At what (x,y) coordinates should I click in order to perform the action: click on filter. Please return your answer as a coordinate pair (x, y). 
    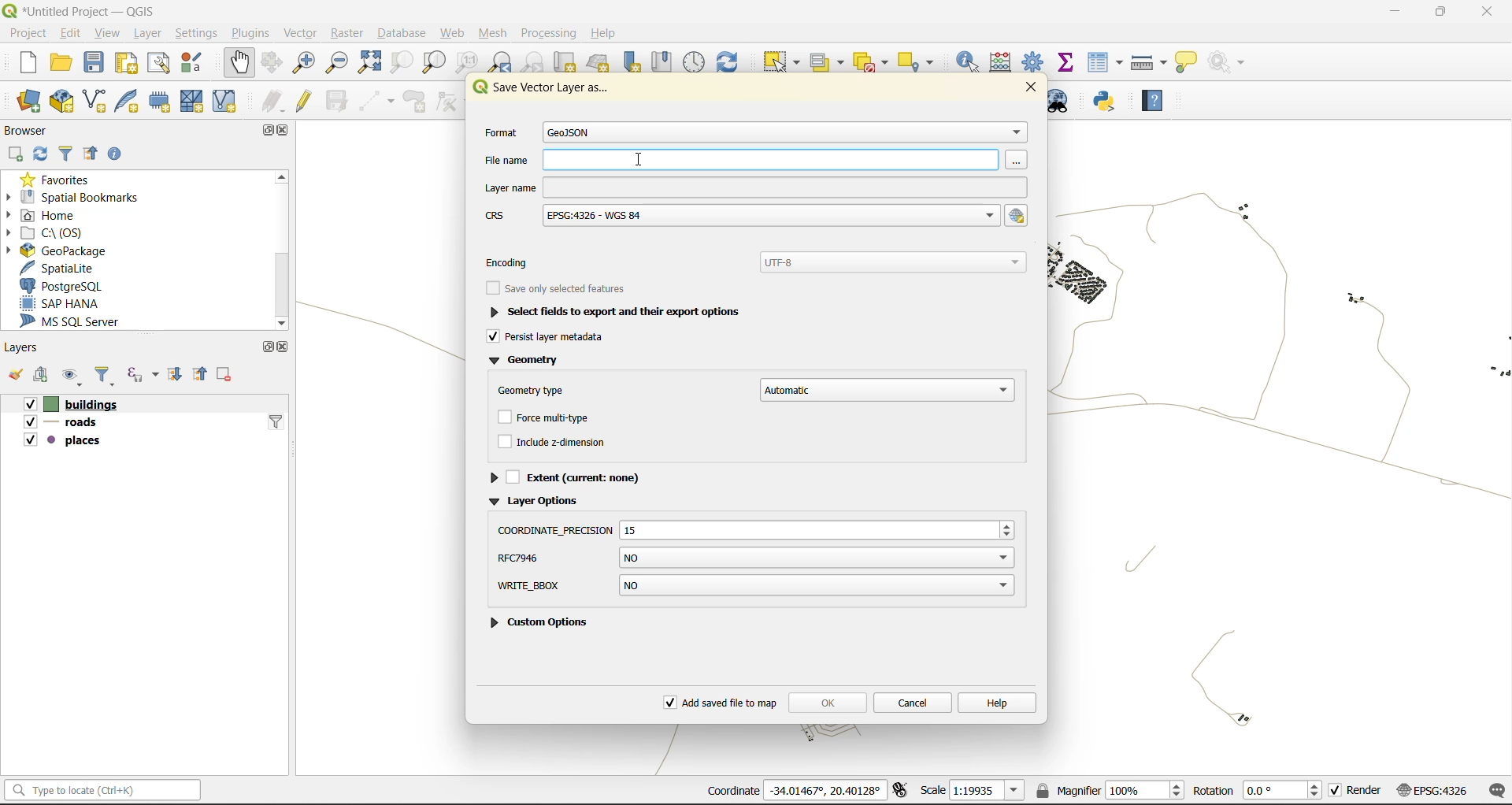
    Looking at the image, I should click on (276, 421).